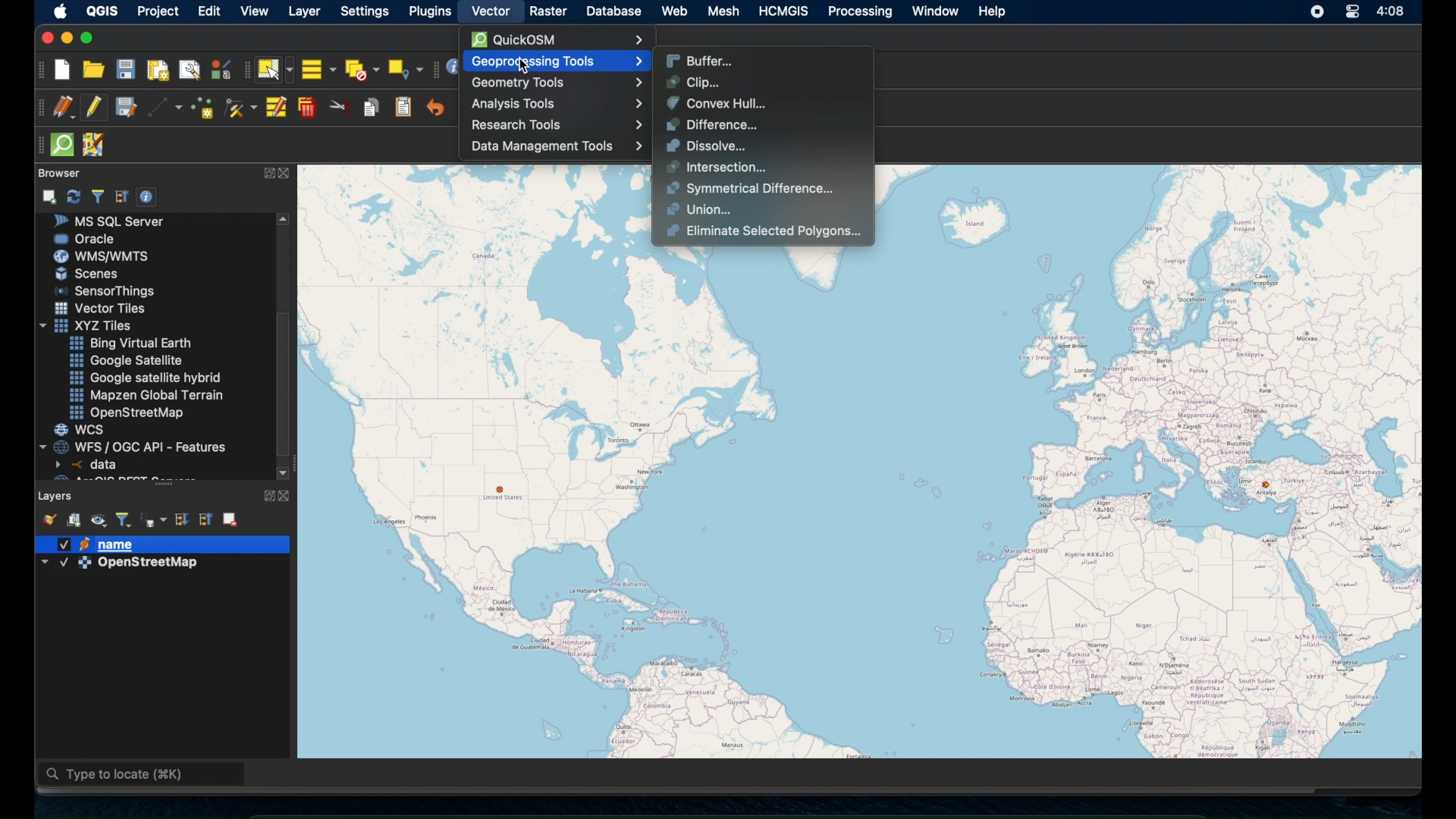  I want to click on Buffer..., so click(702, 59).